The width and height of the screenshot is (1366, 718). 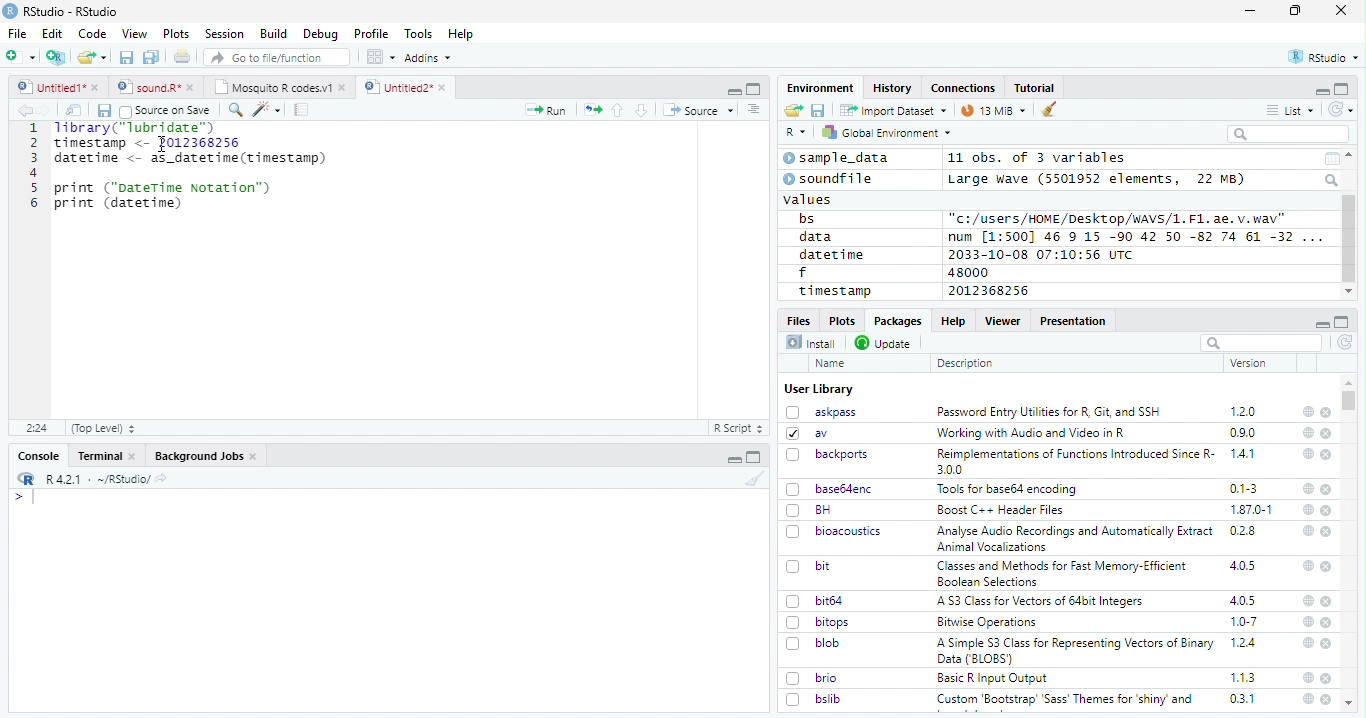 What do you see at coordinates (1326, 413) in the screenshot?
I see `close` at bounding box center [1326, 413].